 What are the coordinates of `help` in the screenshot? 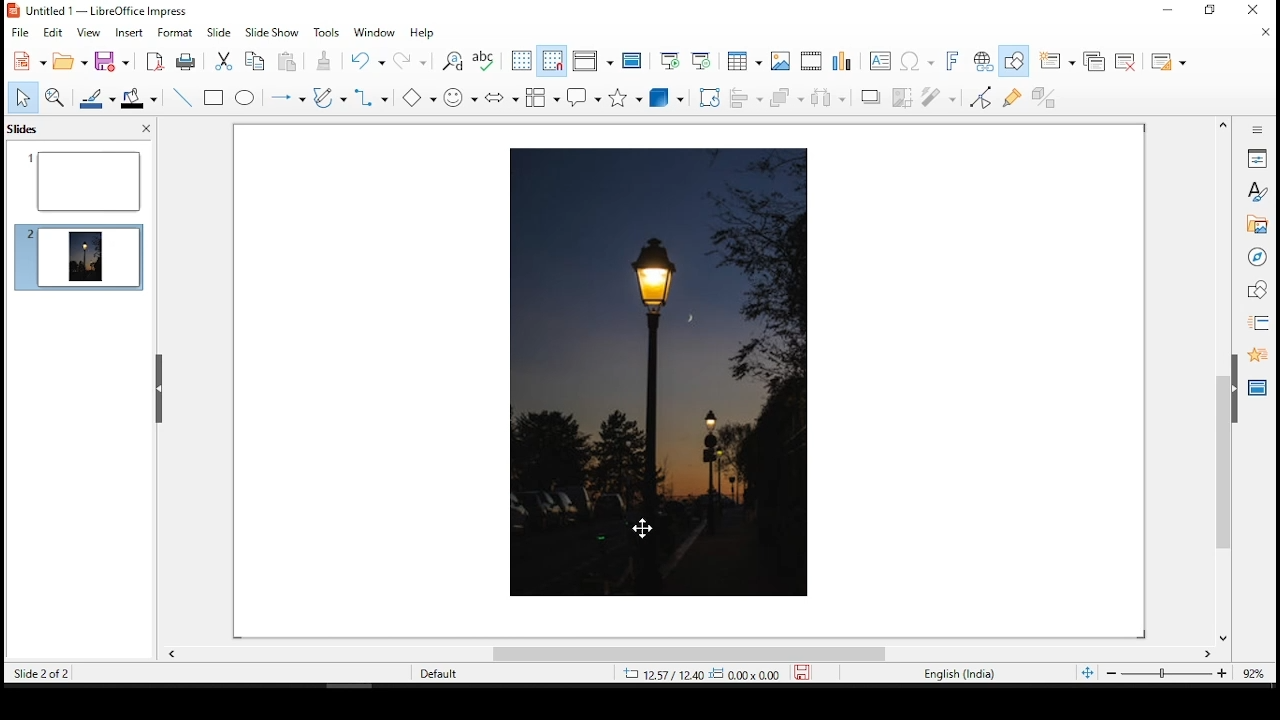 It's located at (425, 34).